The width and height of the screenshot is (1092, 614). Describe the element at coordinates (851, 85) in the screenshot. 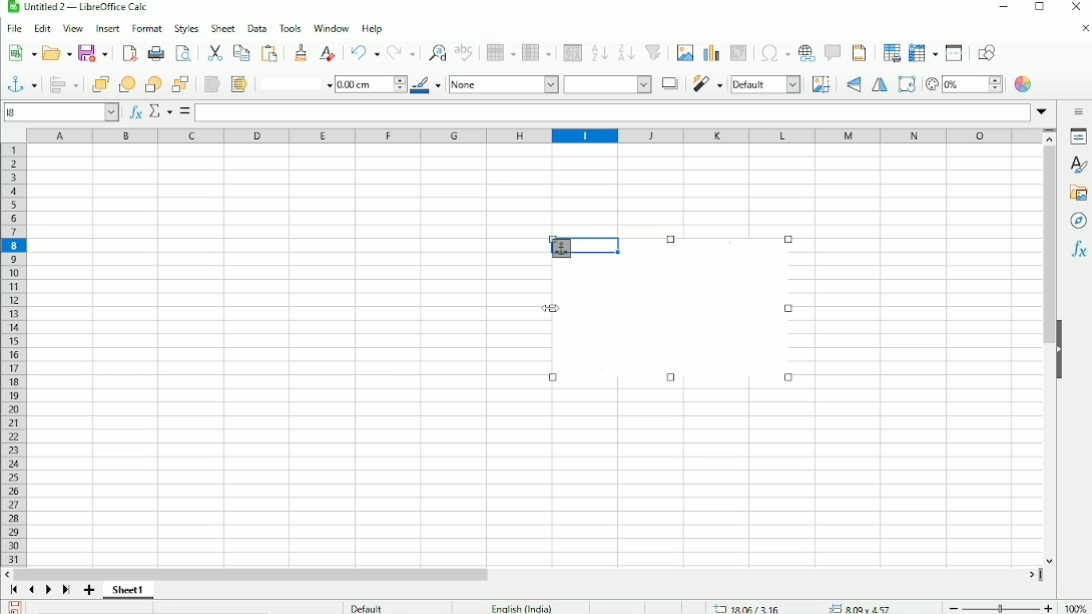

I see `Flip vertically` at that location.